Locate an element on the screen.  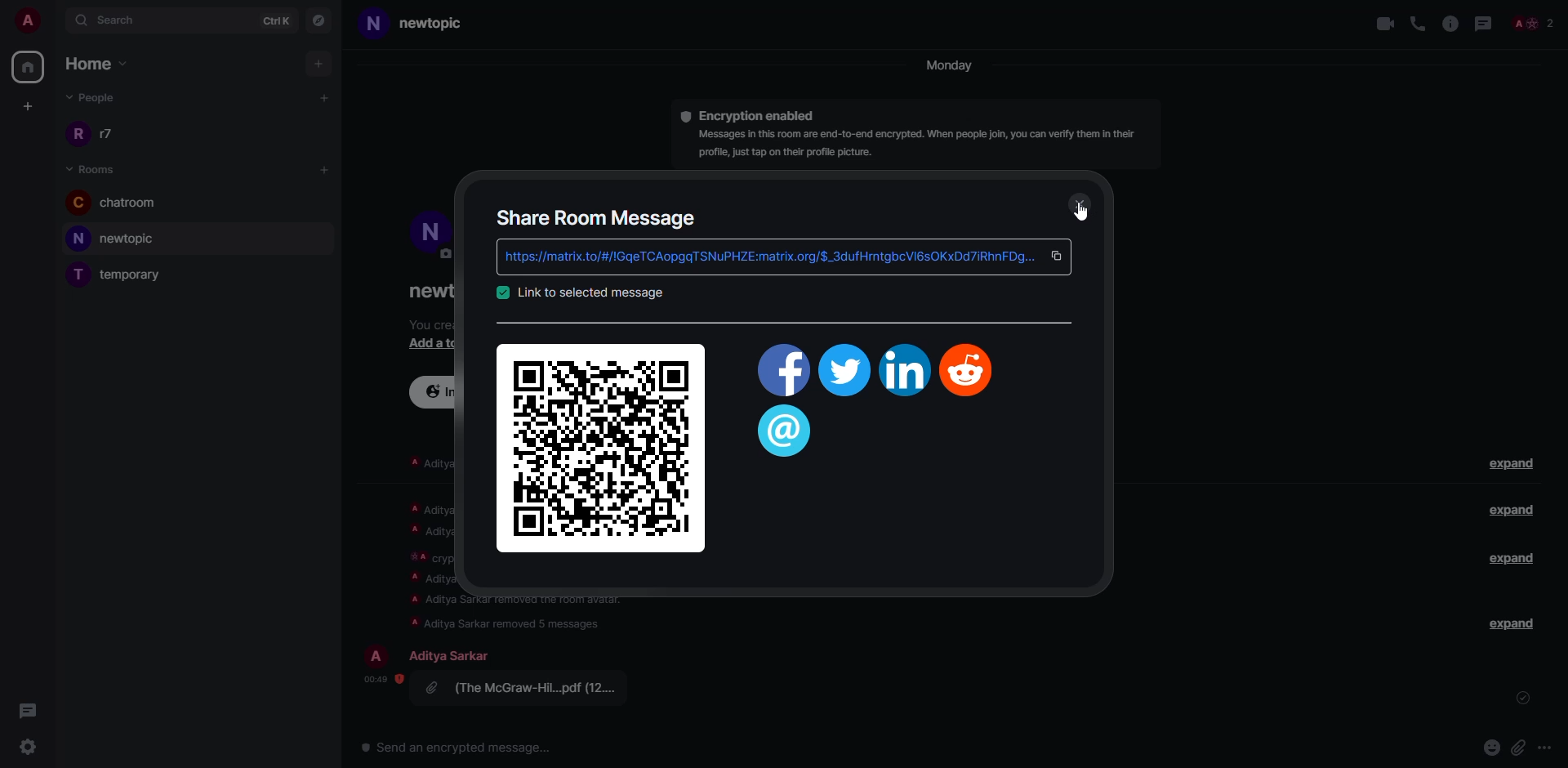
https://matrix.to/#/1GqeTCAOPgqTSNUPHZE:matrix.org/$_3dufHmtgbcVIBSOKXDA7IRhNFDG... is located at coordinates (764, 257).